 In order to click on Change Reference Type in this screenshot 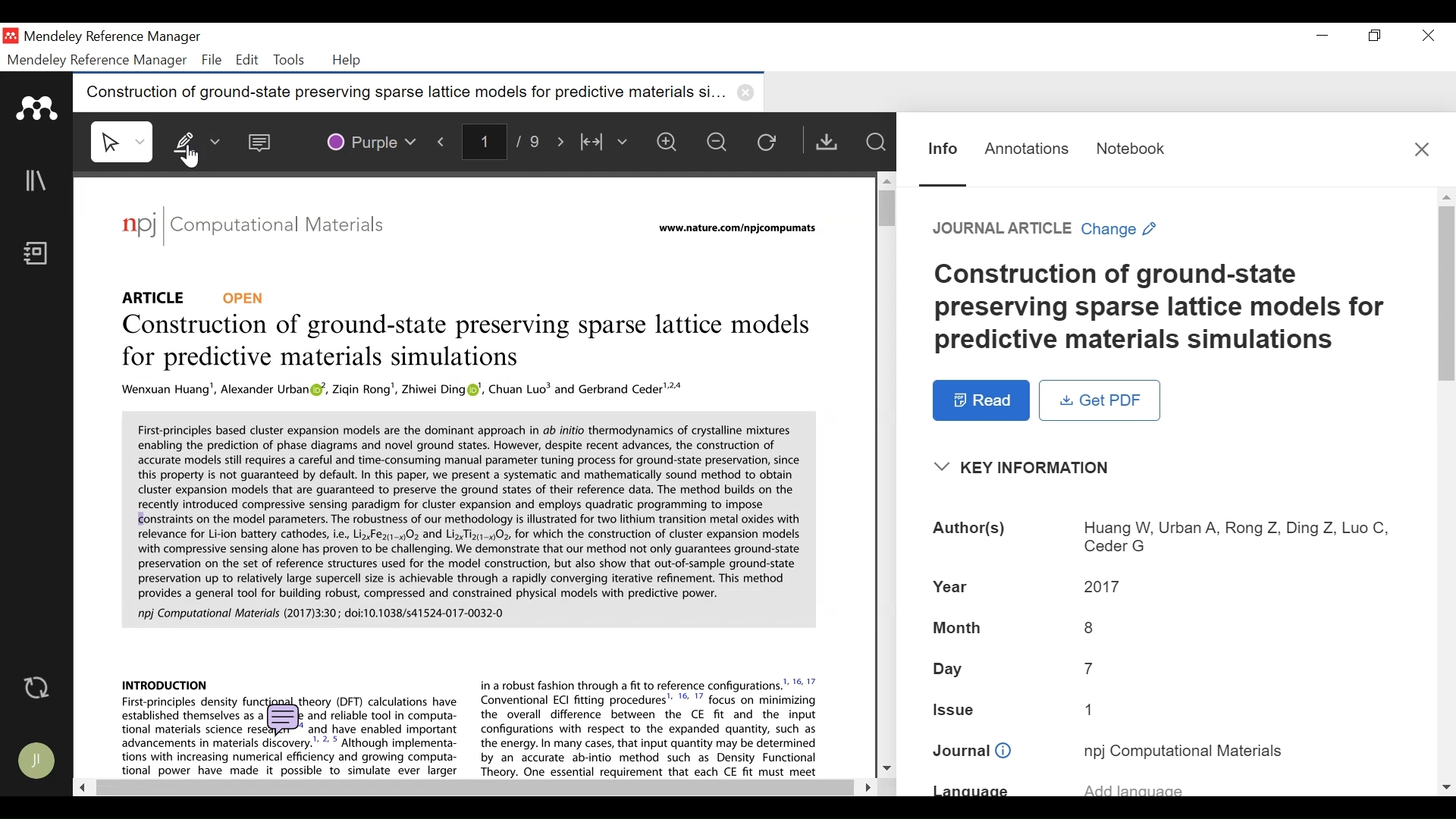, I will do `click(1045, 228)`.